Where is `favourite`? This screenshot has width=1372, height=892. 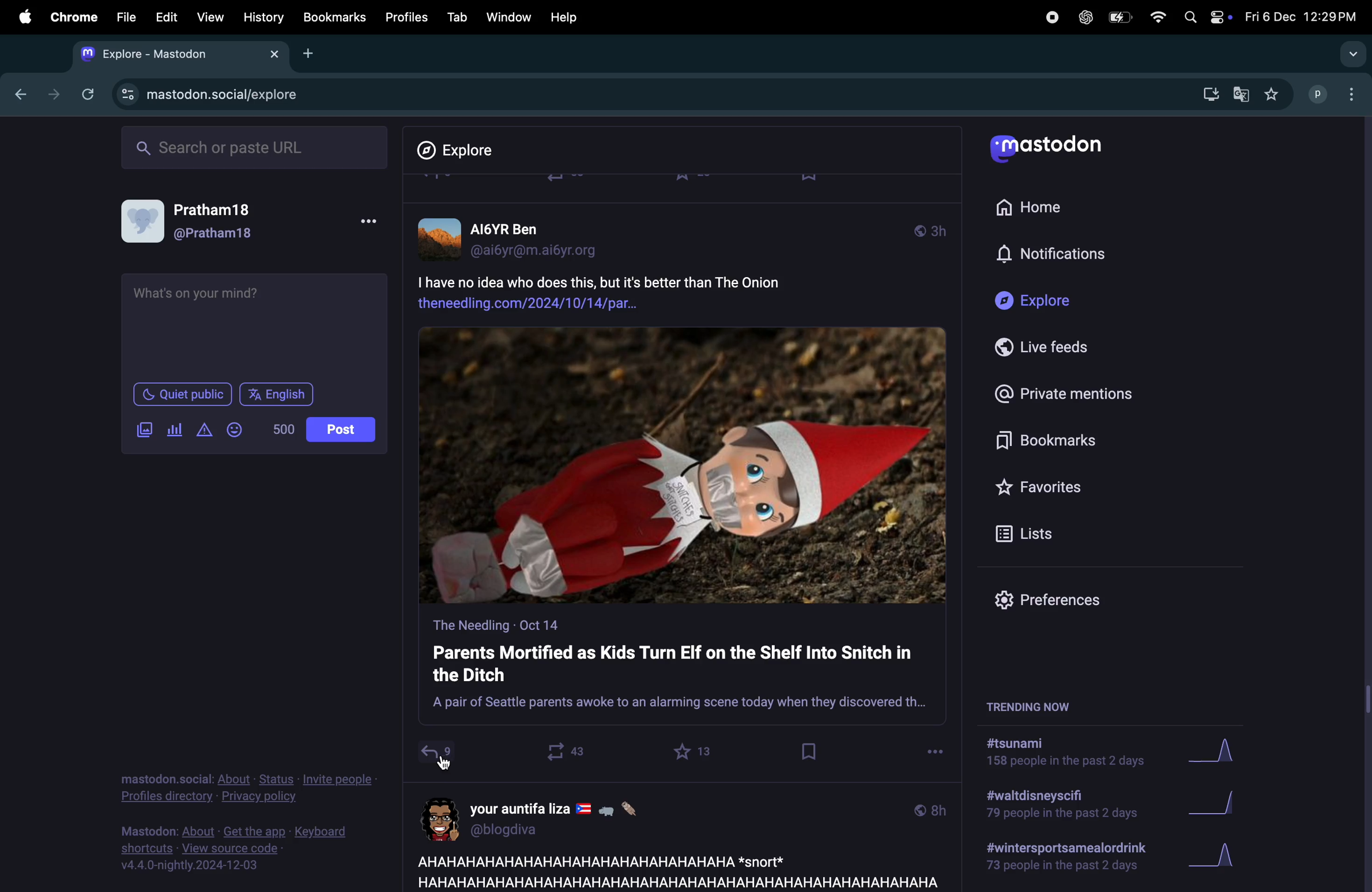
favourite is located at coordinates (695, 751).